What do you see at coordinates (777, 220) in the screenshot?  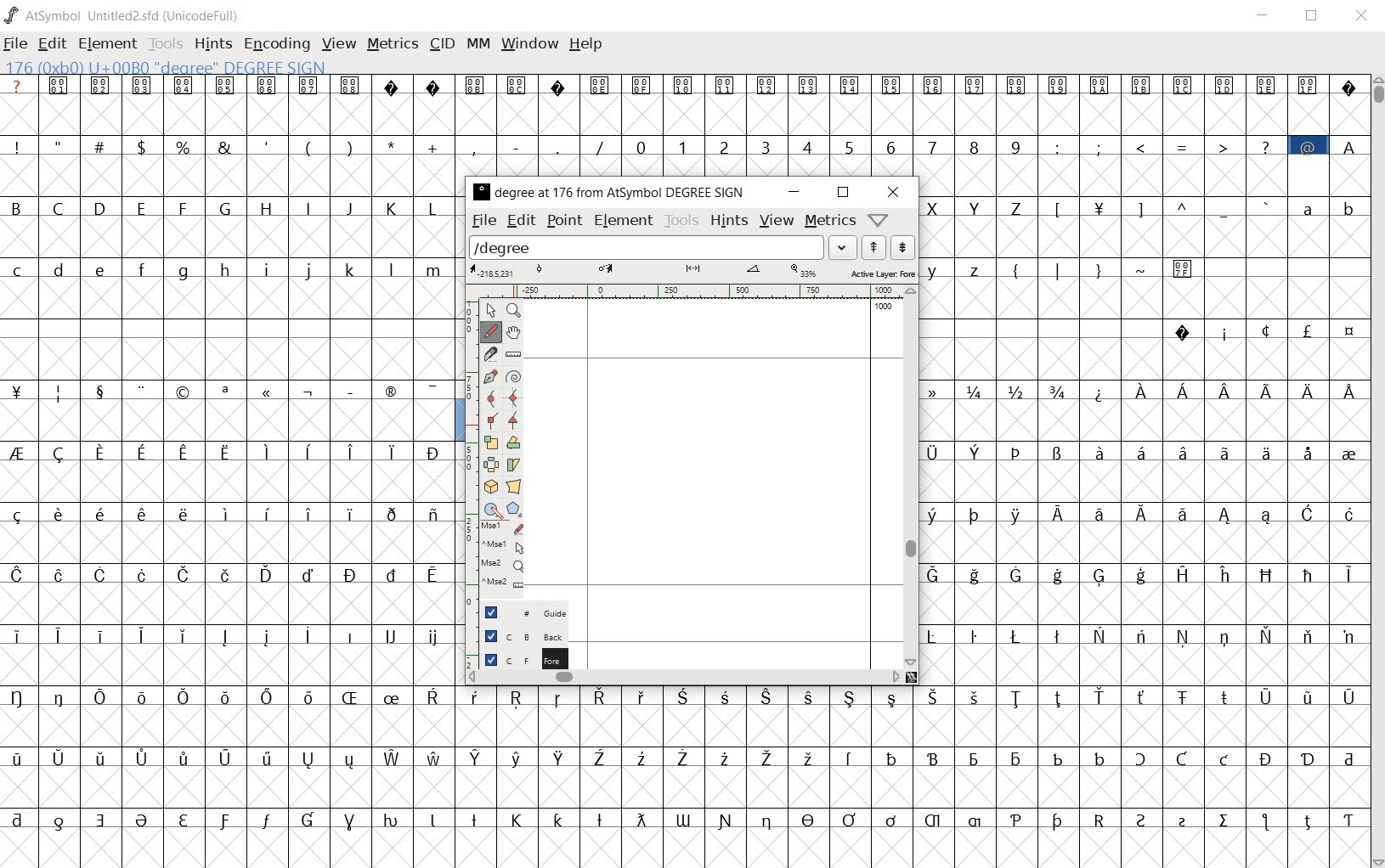 I see `view` at bounding box center [777, 220].